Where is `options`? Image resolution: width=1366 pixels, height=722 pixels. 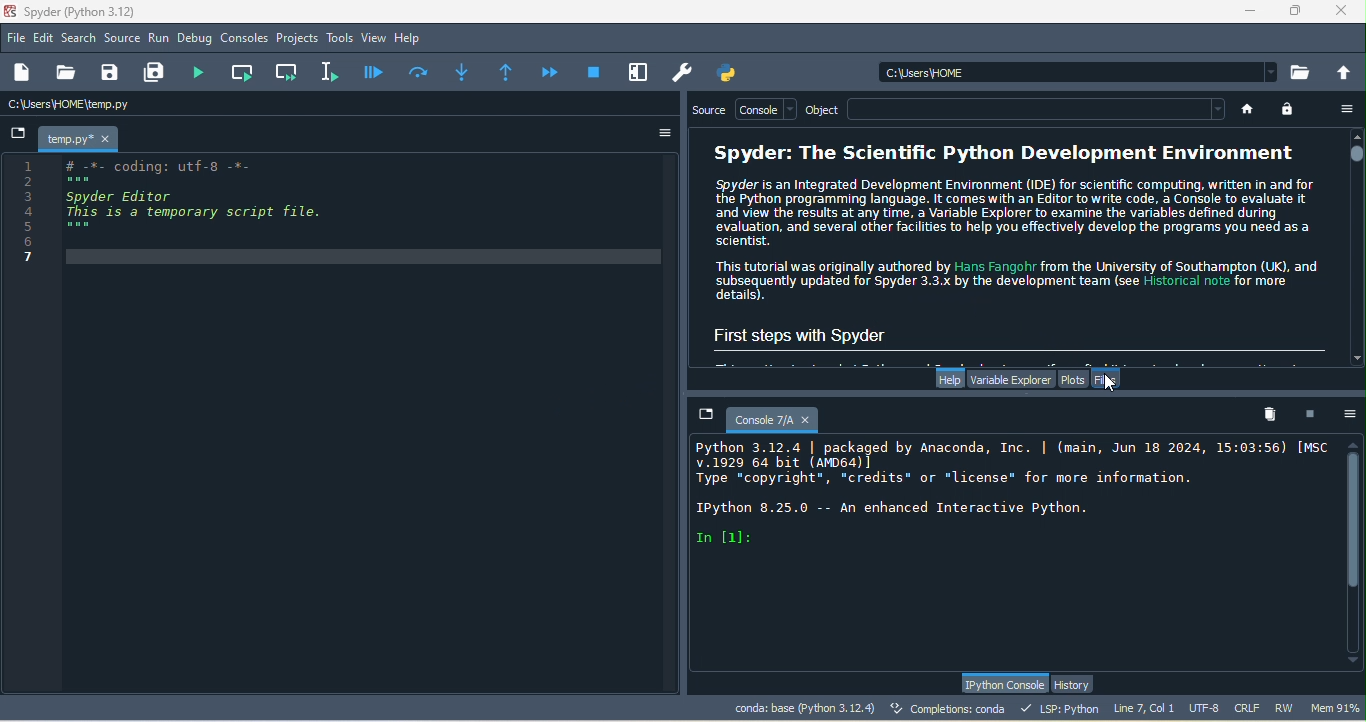 options is located at coordinates (657, 133).